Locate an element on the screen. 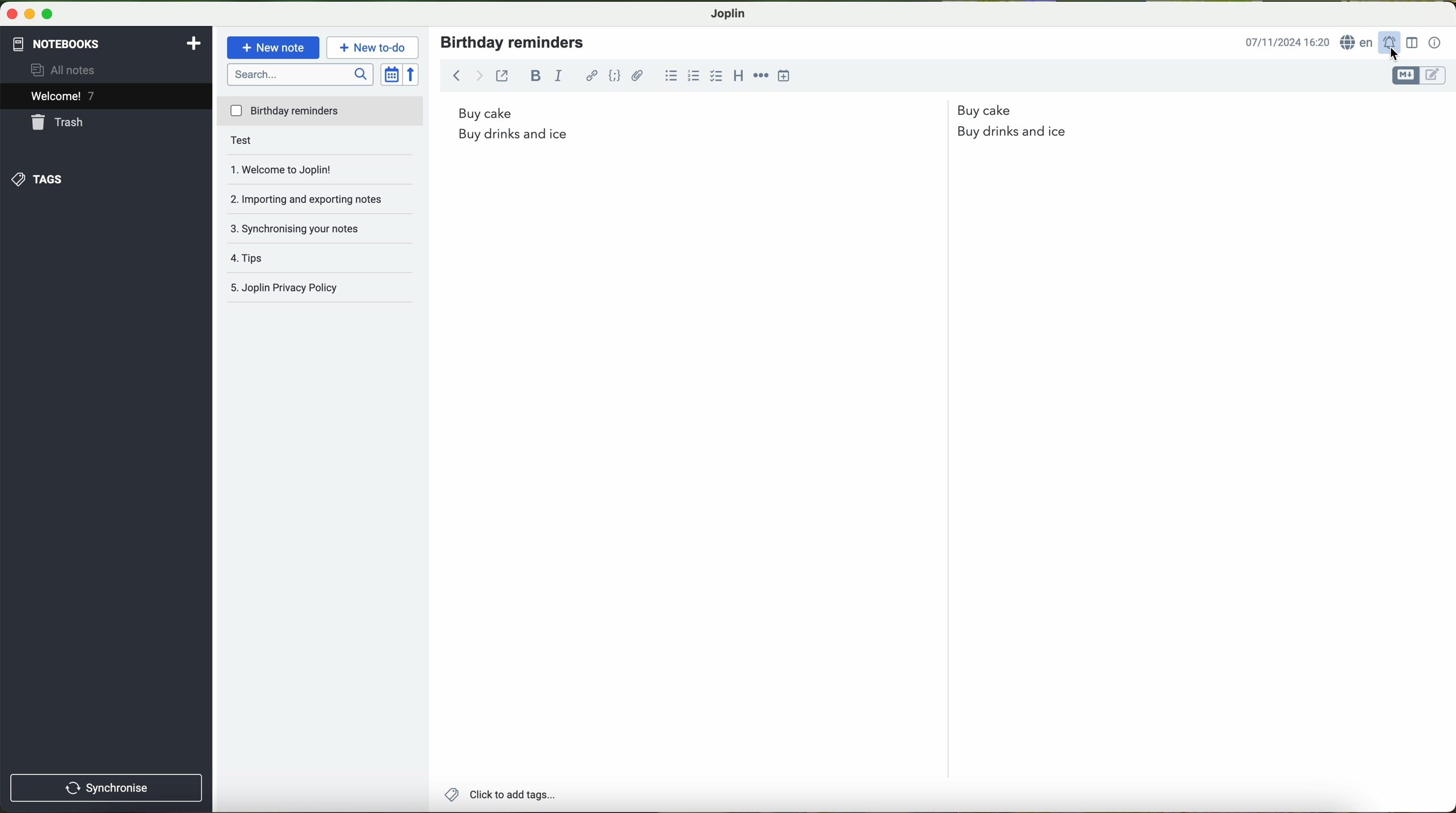  bulleted list is located at coordinates (672, 75).